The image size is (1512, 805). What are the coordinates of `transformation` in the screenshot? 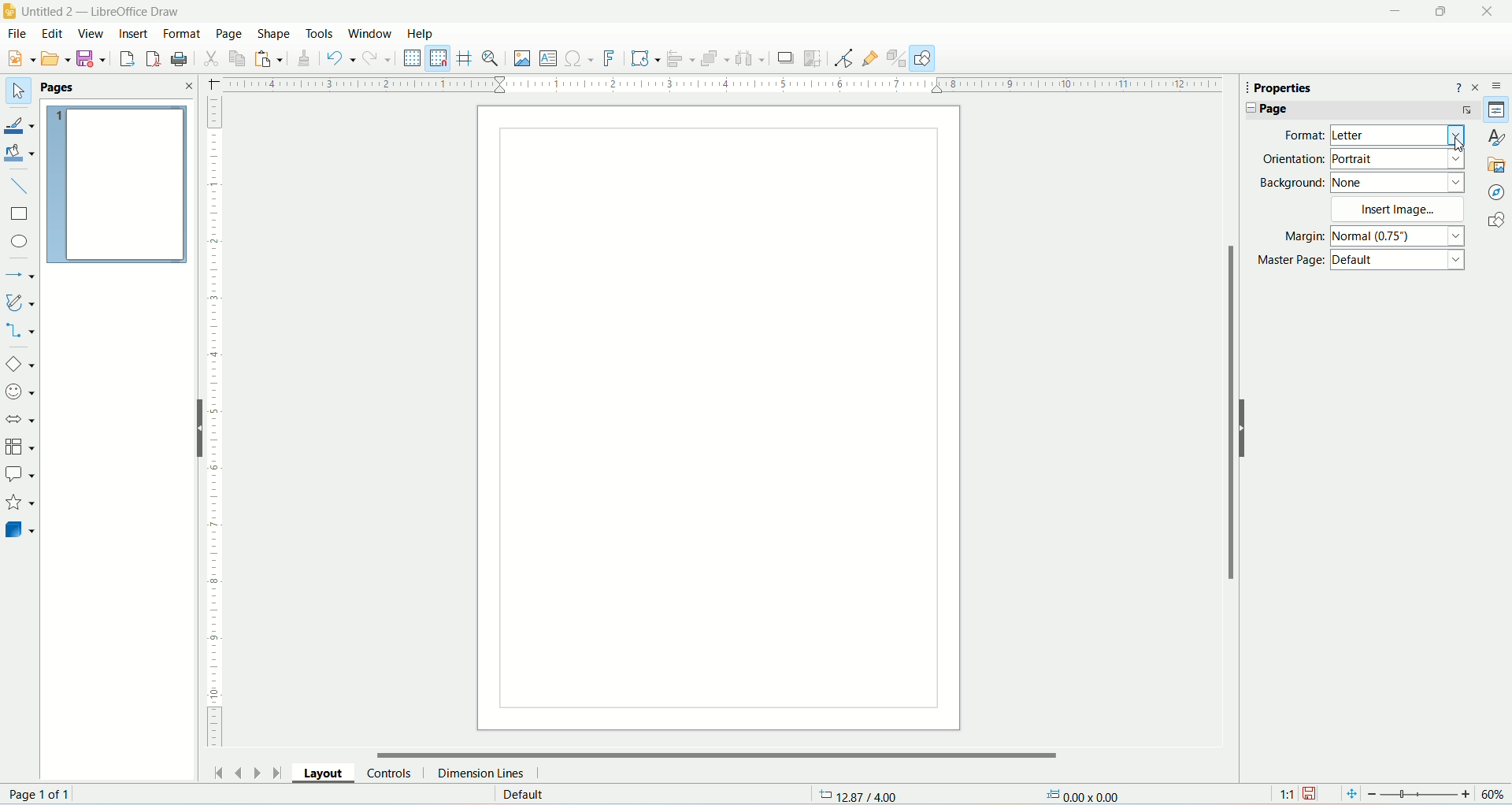 It's located at (645, 59).